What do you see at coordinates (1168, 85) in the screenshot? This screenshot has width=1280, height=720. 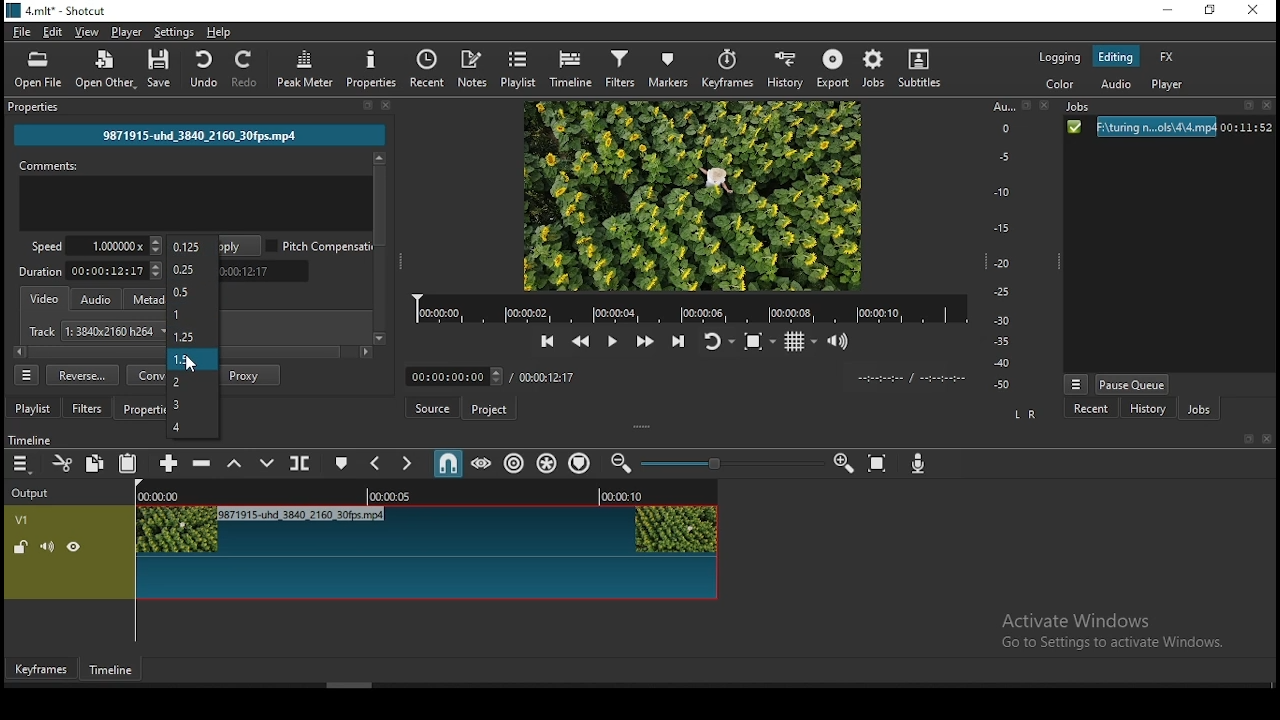 I see `player` at bounding box center [1168, 85].